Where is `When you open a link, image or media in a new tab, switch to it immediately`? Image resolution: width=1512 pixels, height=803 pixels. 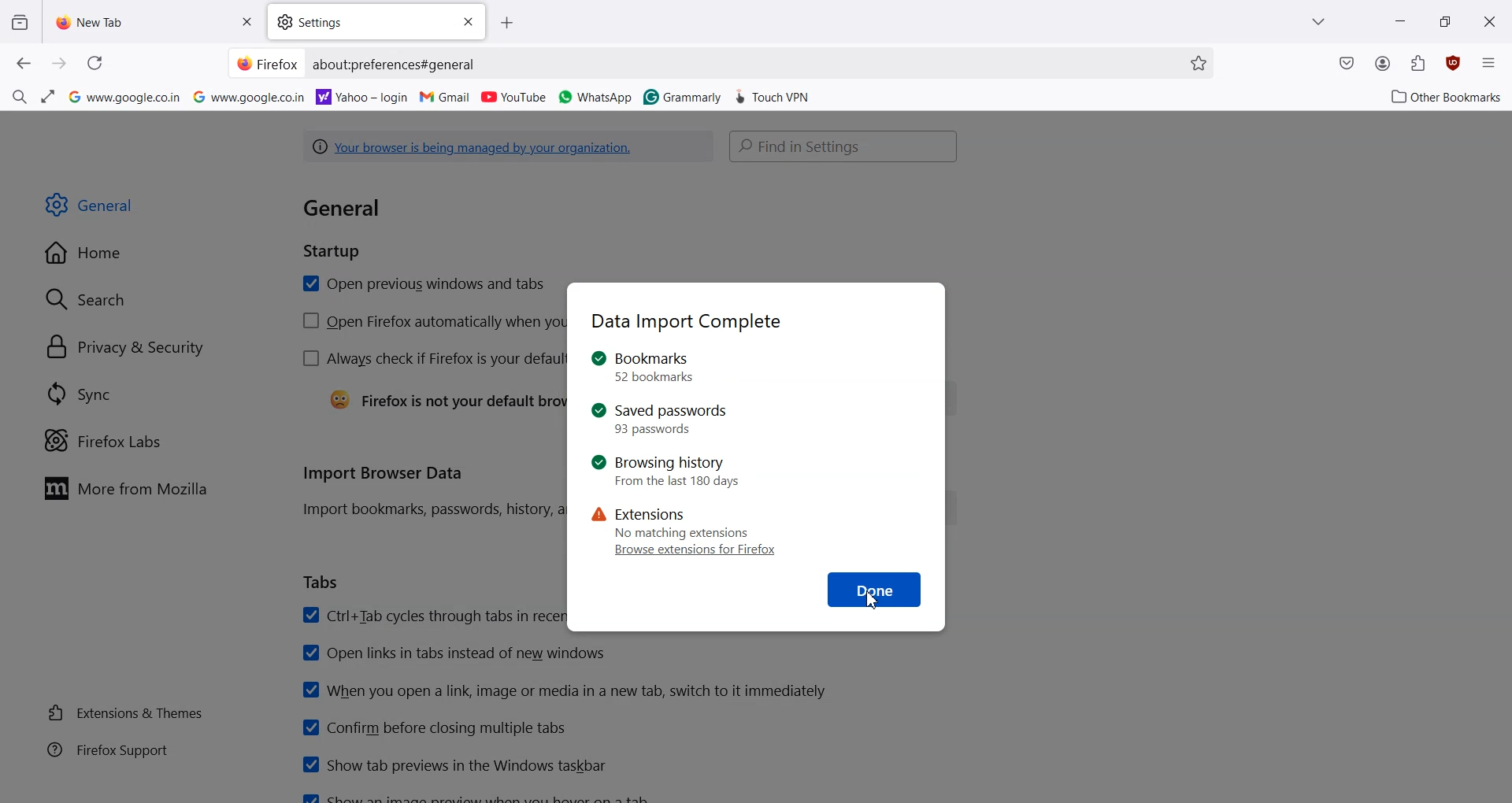
When you open a link, image or media in a new tab, switch to it immediately is located at coordinates (565, 690).